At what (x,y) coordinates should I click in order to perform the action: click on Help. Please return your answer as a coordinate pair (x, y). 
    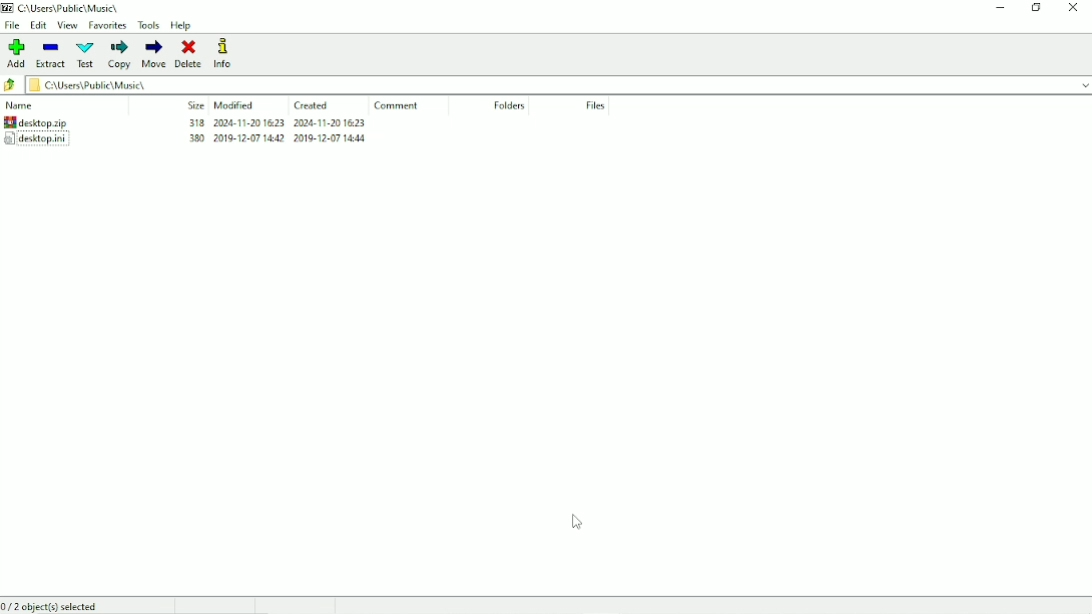
    Looking at the image, I should click on (181, 26).